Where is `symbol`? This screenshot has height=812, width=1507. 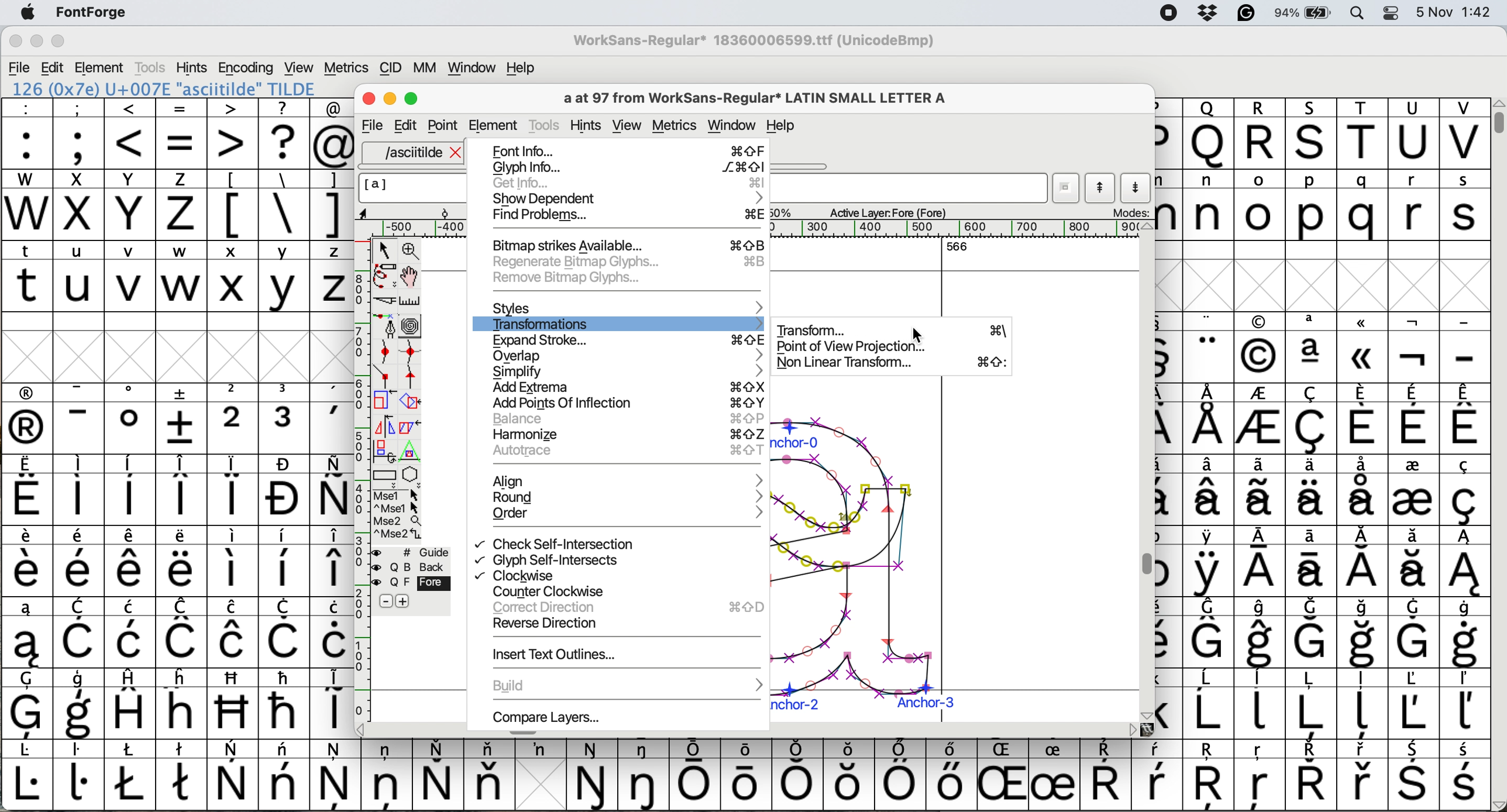 symbol is located at coordinates (1466, 776).